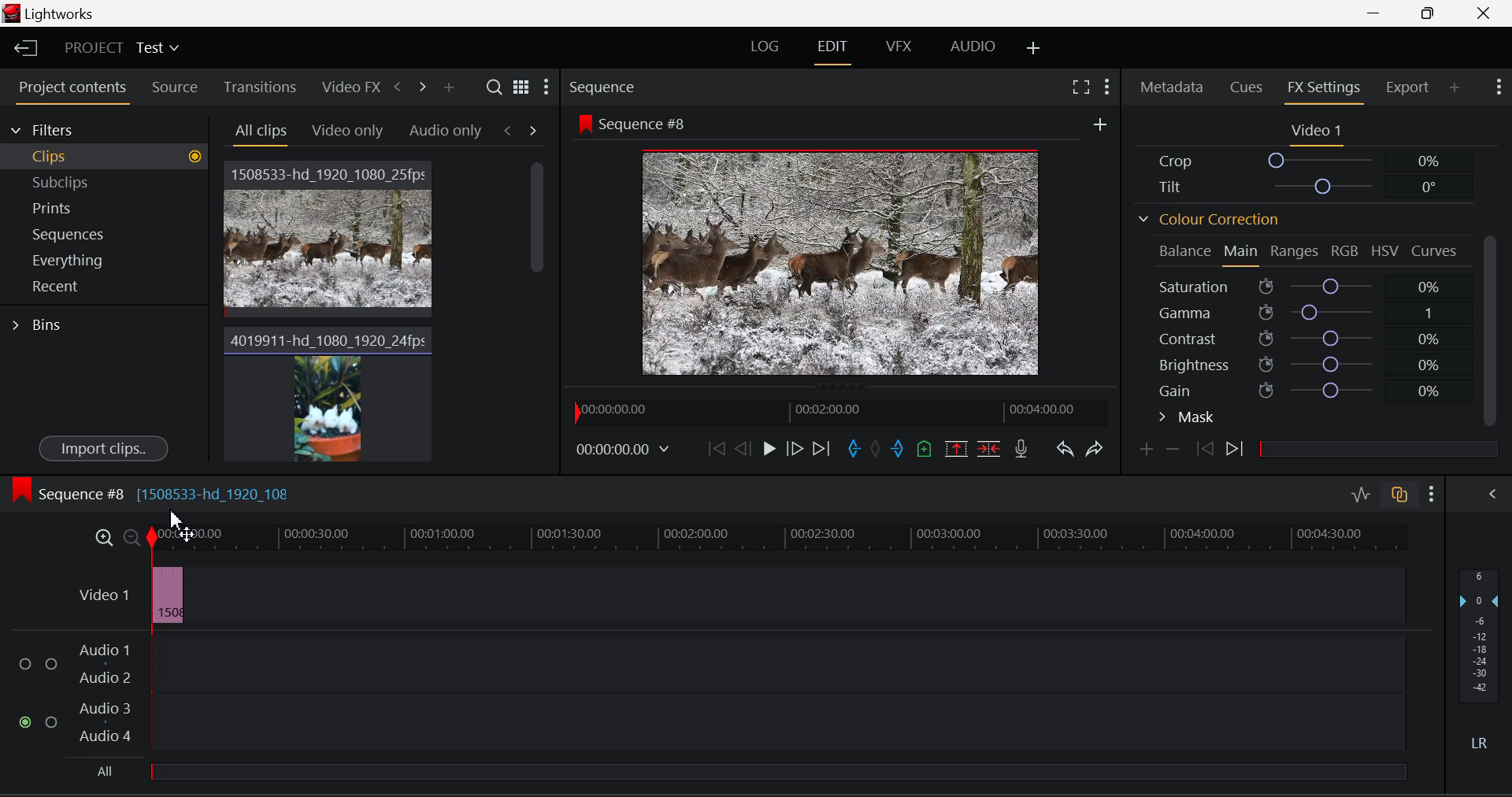  Describe the element at coordinates (1361, 494) in the screenshot. I see `Audio Level Editing` at that location.